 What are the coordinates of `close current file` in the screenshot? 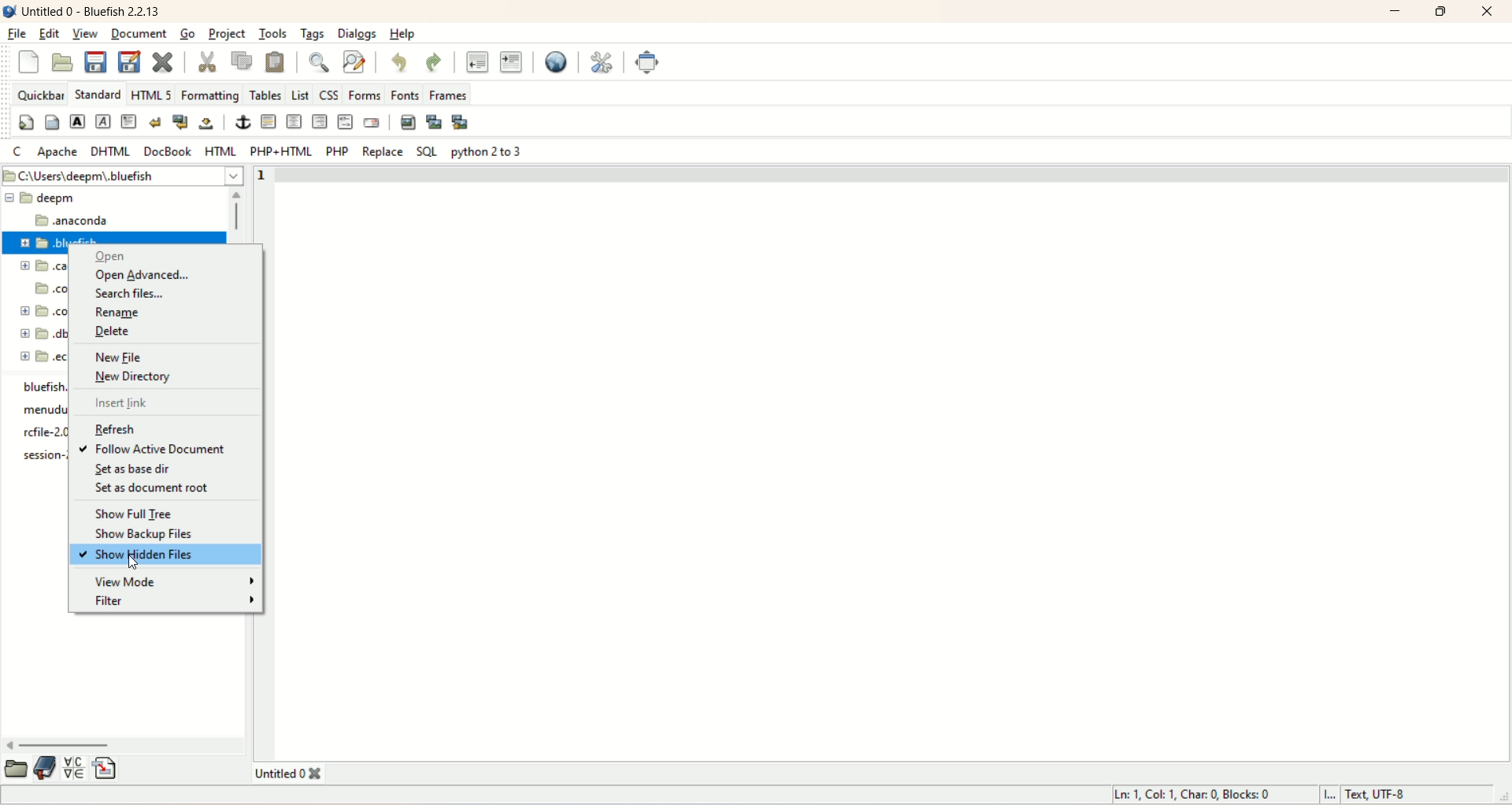 It's located at (165, 63).